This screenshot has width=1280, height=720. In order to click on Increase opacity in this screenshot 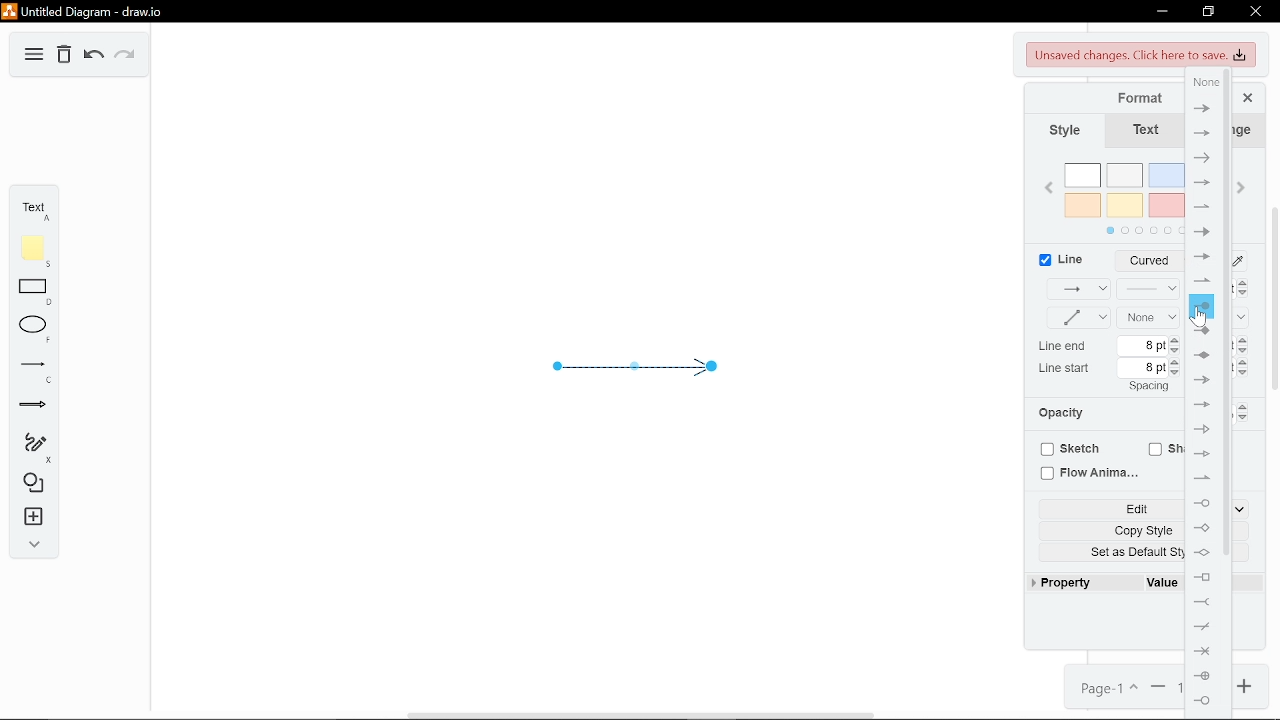, I will do `click(1244, 407)`.